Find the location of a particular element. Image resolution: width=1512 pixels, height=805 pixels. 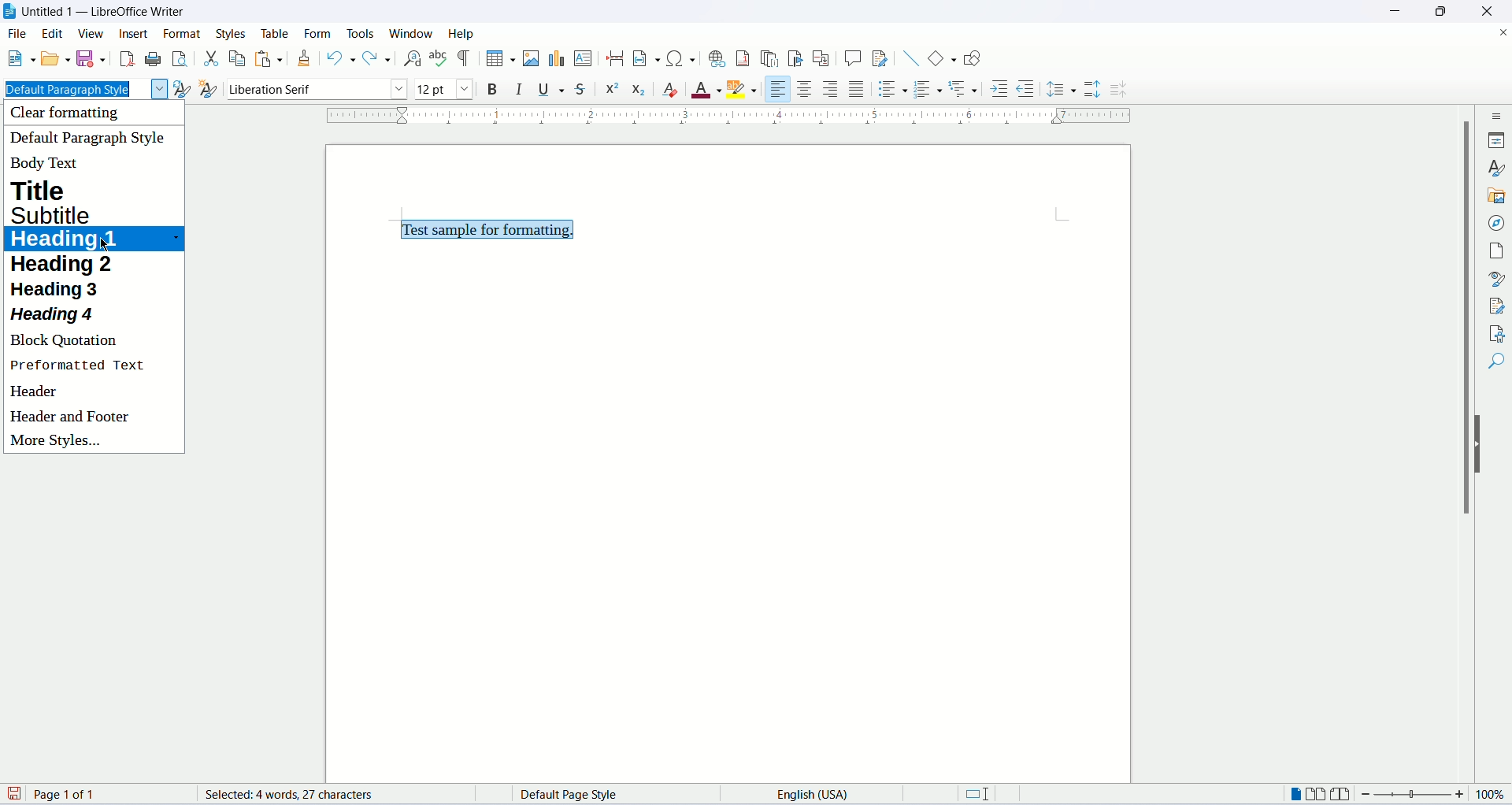

track changes is located at coordinates (880, 59).